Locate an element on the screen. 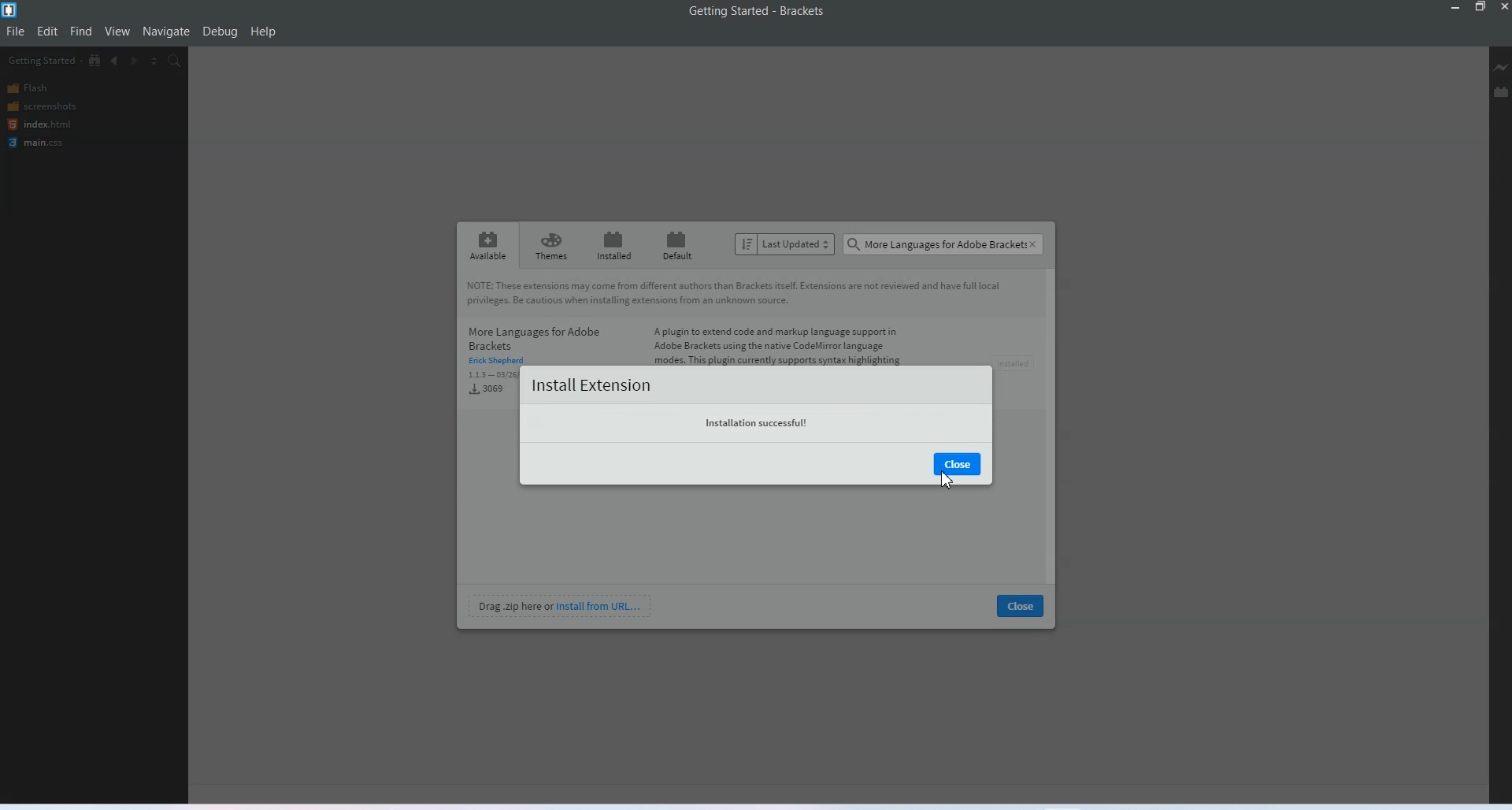 The height and width of the screenshot is (810, 1512). Navigate is located at coordinates (166, 32).